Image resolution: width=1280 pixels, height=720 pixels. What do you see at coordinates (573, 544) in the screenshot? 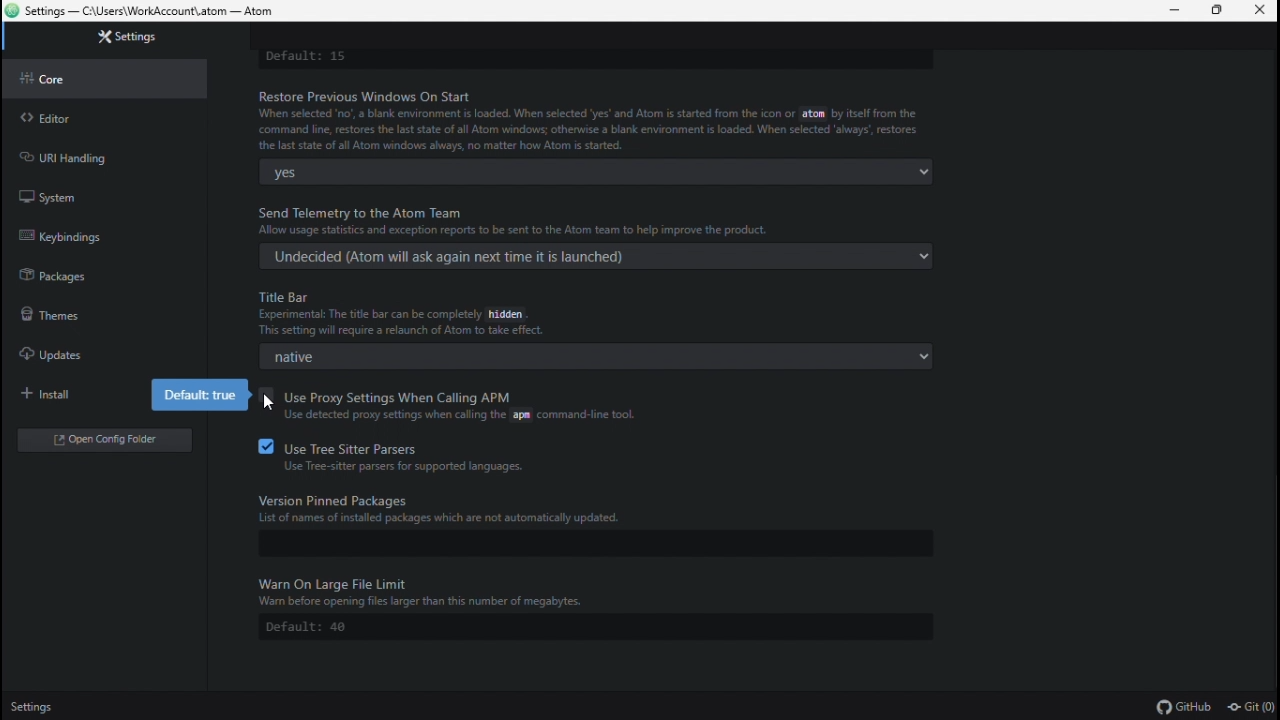
I see `textbox` at bounding box center [573, 544].